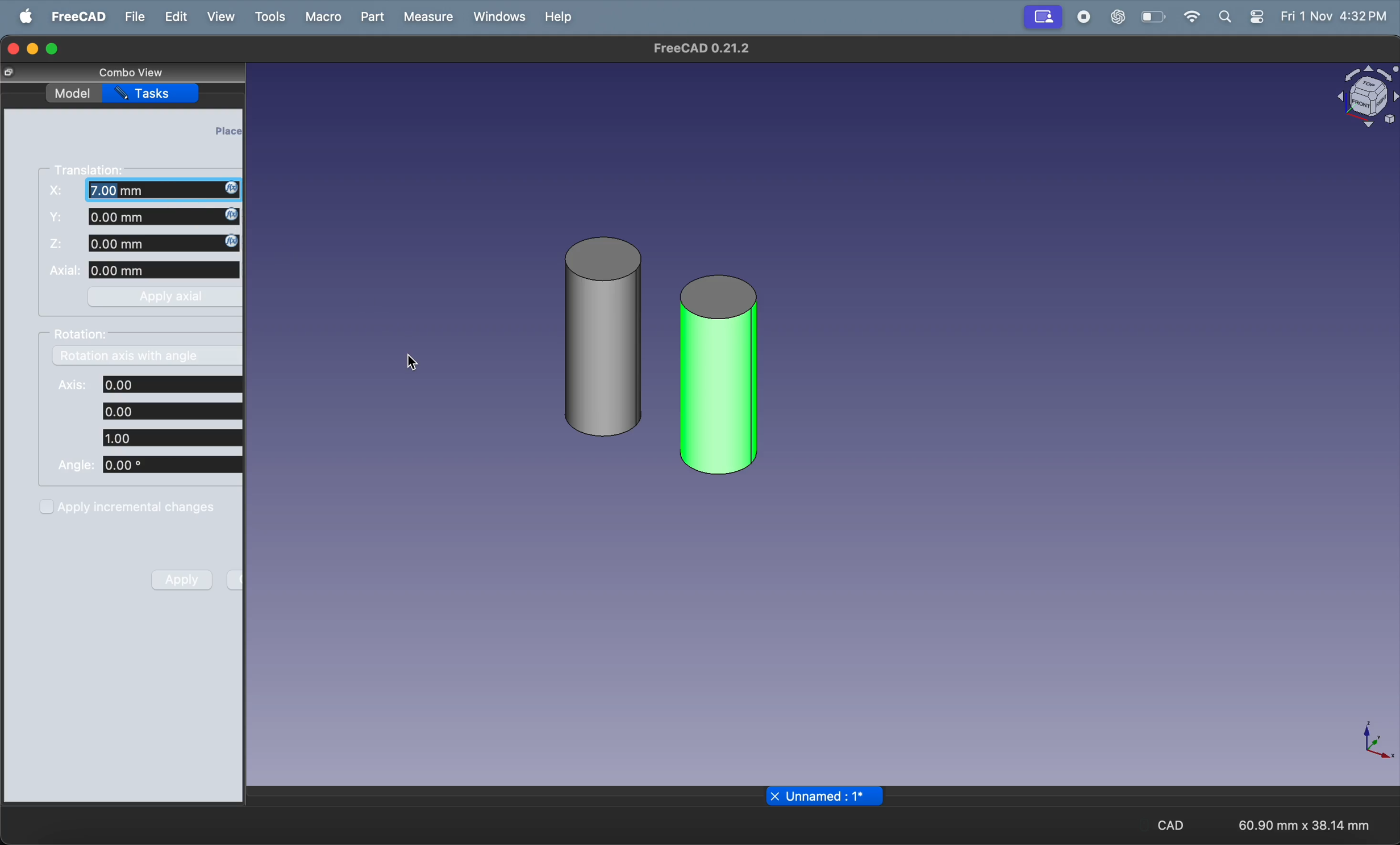  What do you see at coordinates (176, 16) in the screenshot?
I see `edit` at bounding box center [176, 16].